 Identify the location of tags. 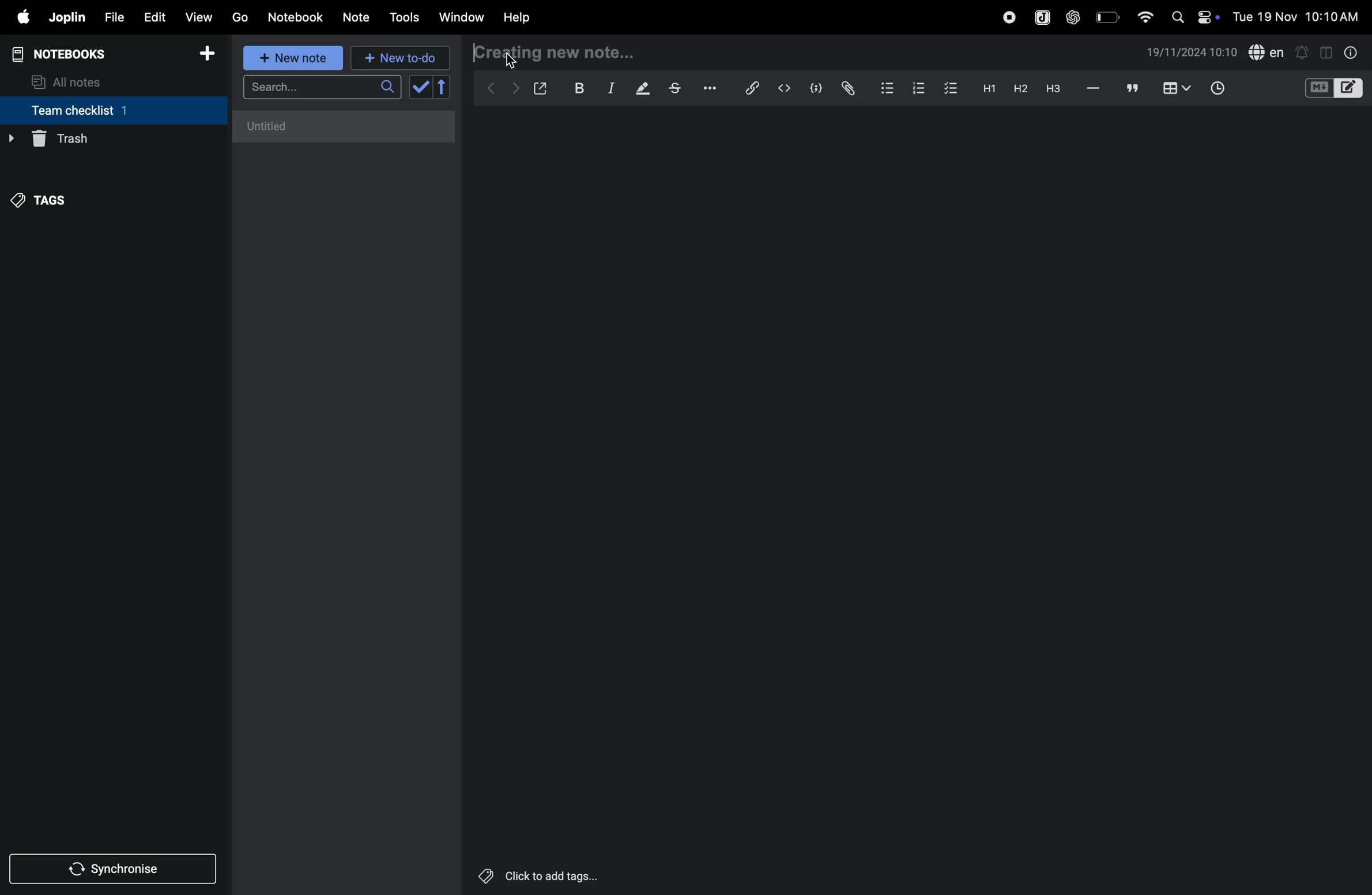
(47, 197).